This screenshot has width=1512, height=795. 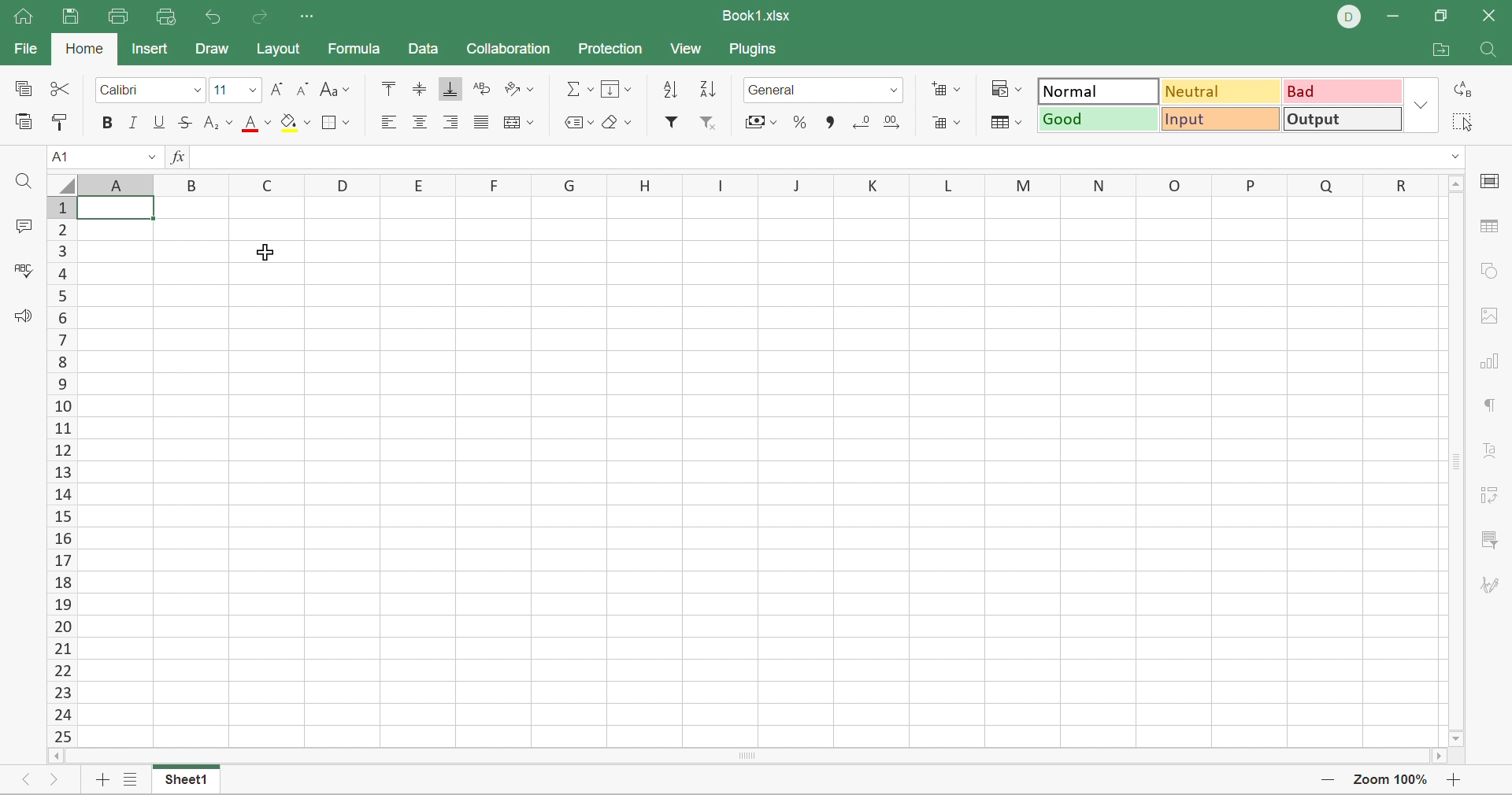 I want to click on Number format, so click(x=777, y=89).